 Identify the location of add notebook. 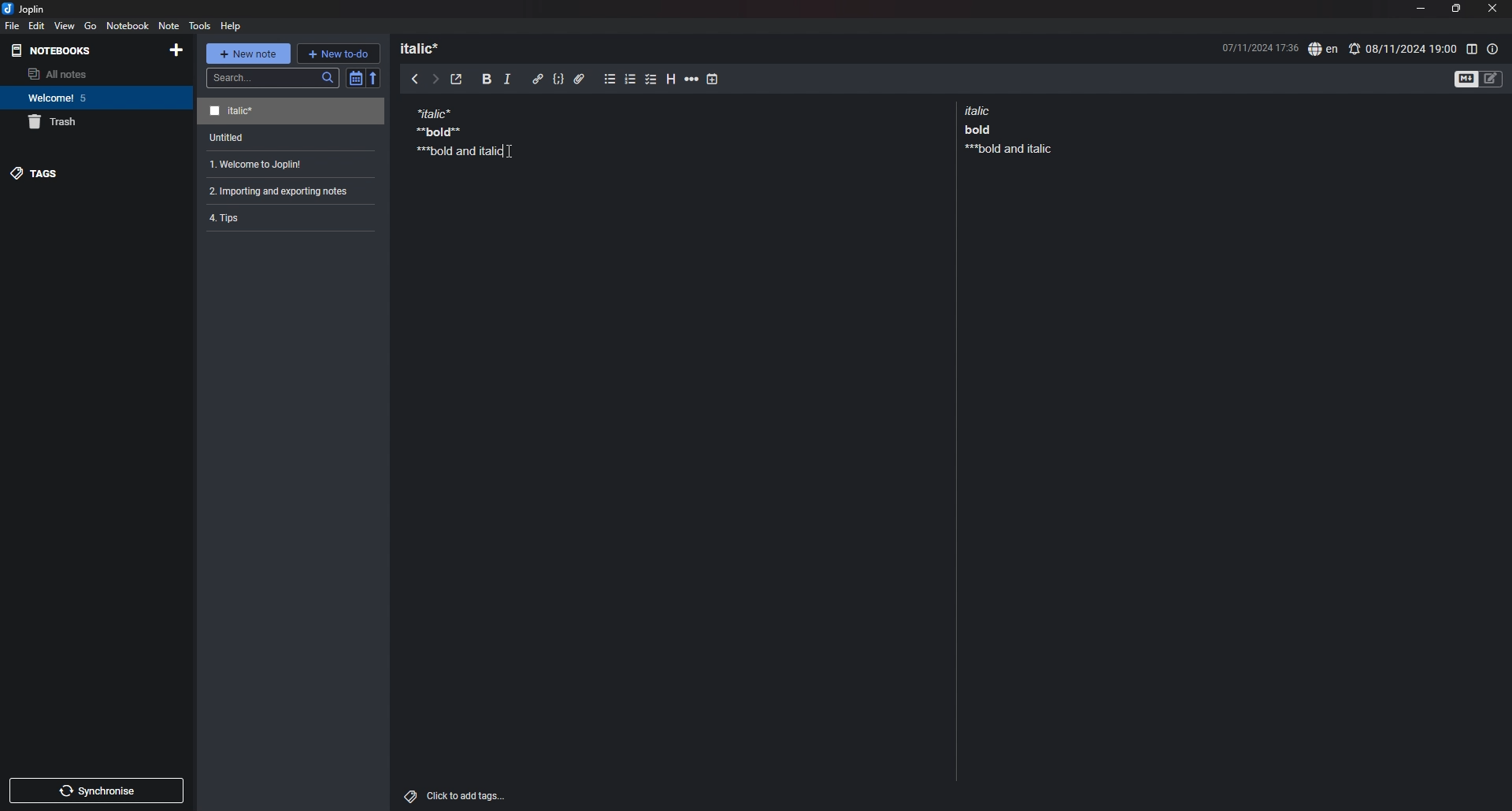
(175, 50).